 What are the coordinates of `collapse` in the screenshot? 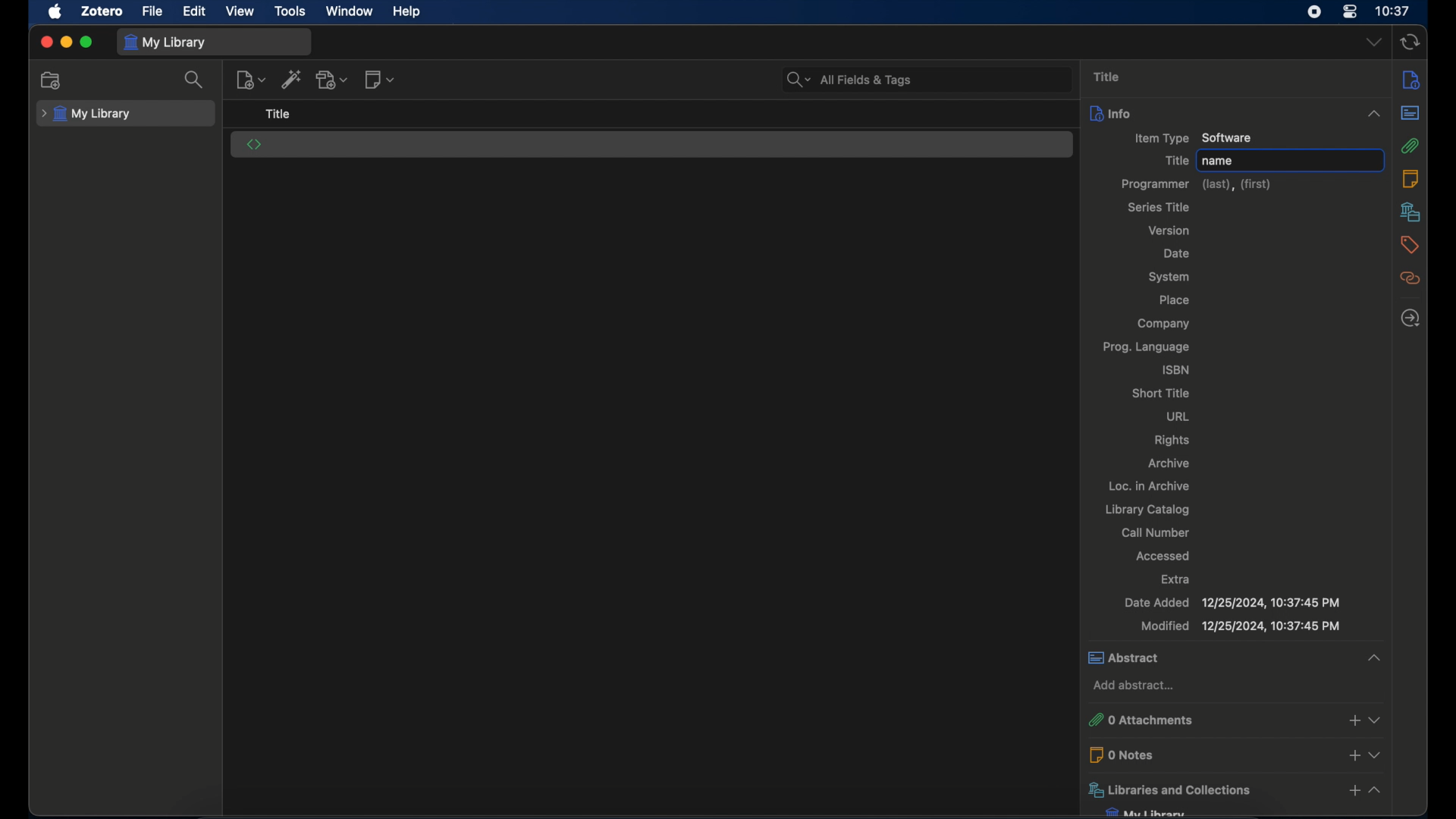 It's located at (1370, 111).